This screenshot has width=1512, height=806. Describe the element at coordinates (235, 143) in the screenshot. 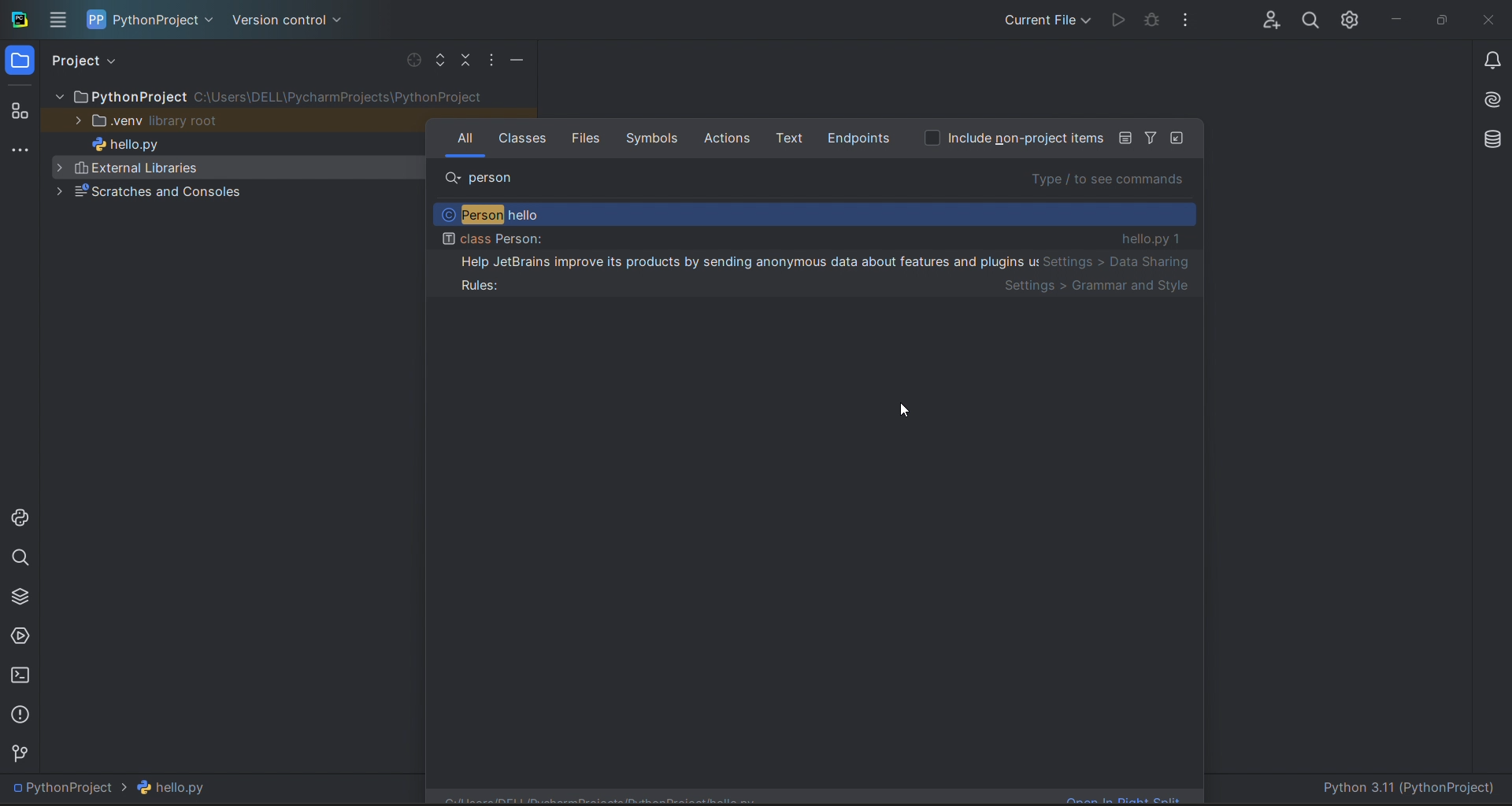

I see `hello.py` at that location.